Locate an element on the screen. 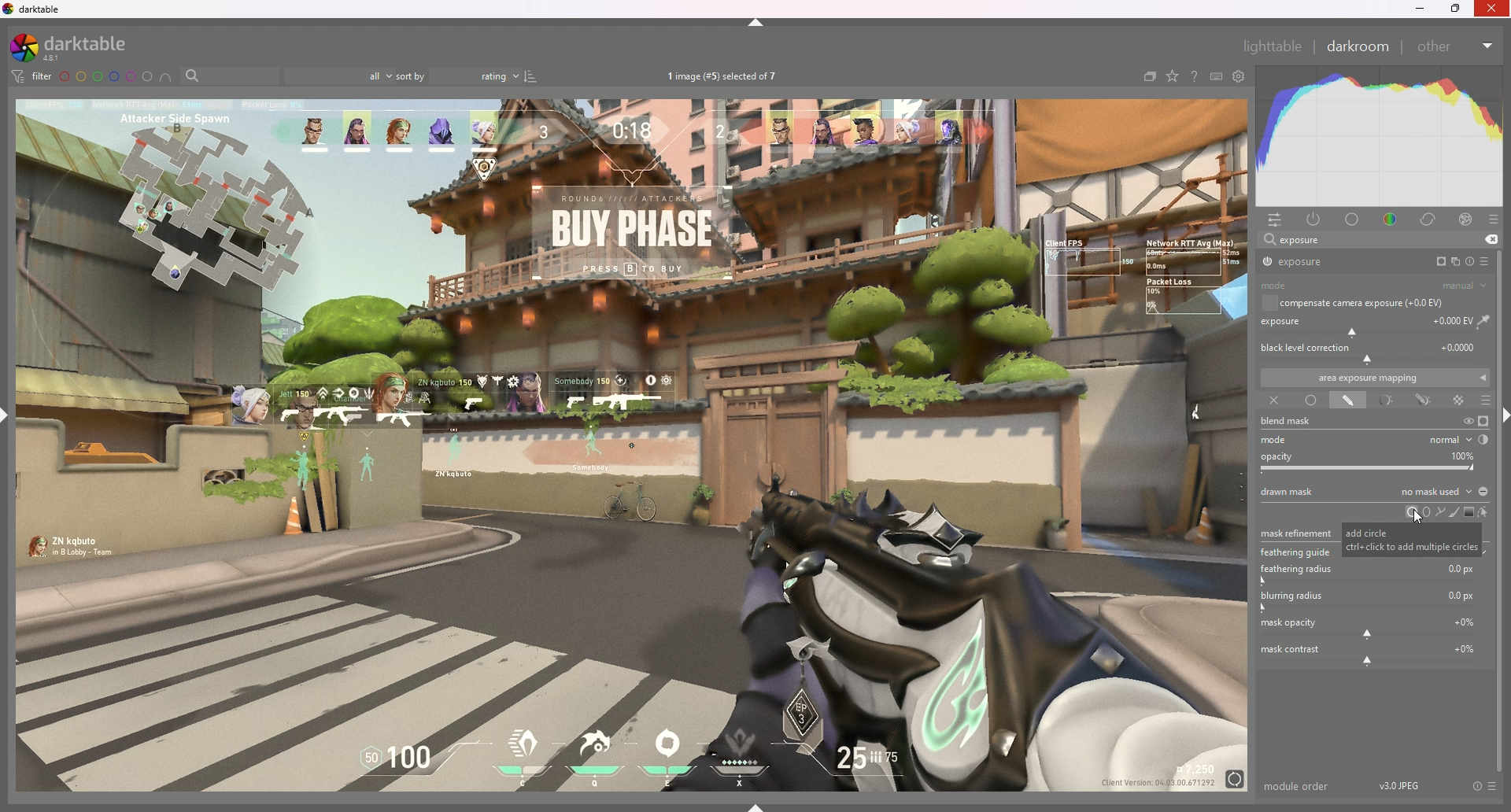  help is located at coordinates (1192, 76).